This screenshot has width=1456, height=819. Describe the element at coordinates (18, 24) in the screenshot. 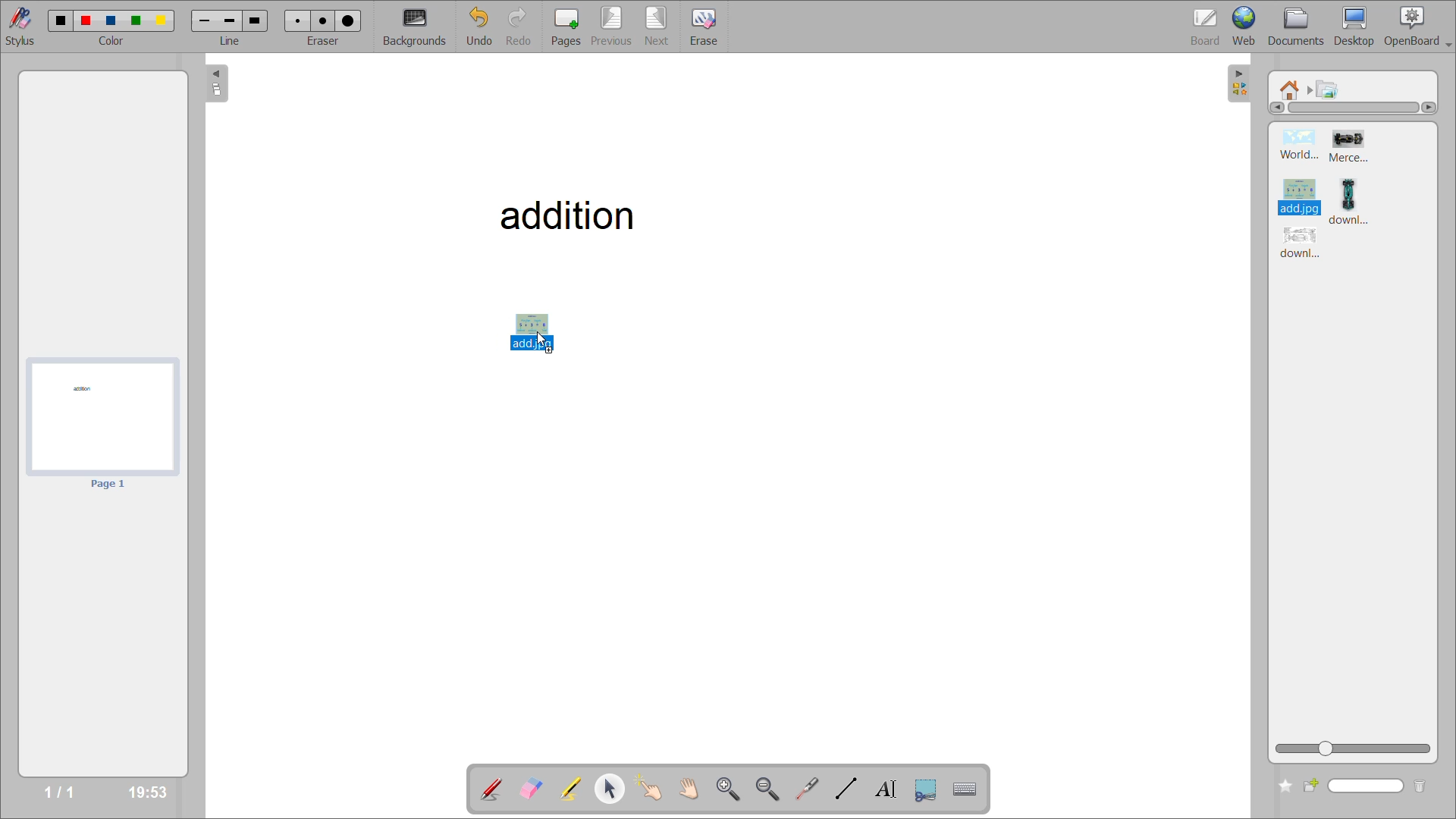

I see `stylus` at that location.